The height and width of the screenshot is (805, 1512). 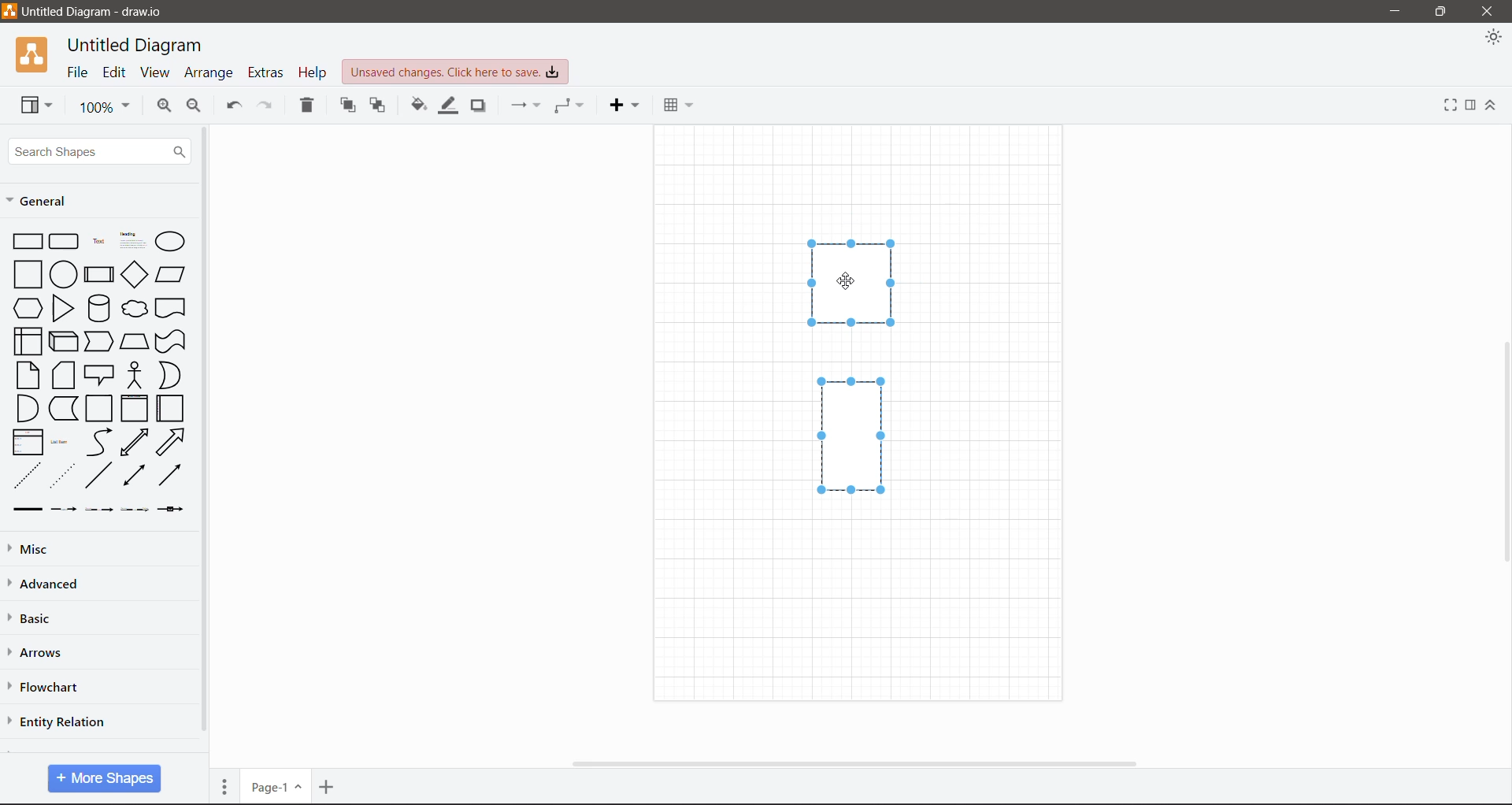 What do you see at coordinates (104, 778) in the screenshot?
I see `More Shapes` at bounding box center [104, 778].